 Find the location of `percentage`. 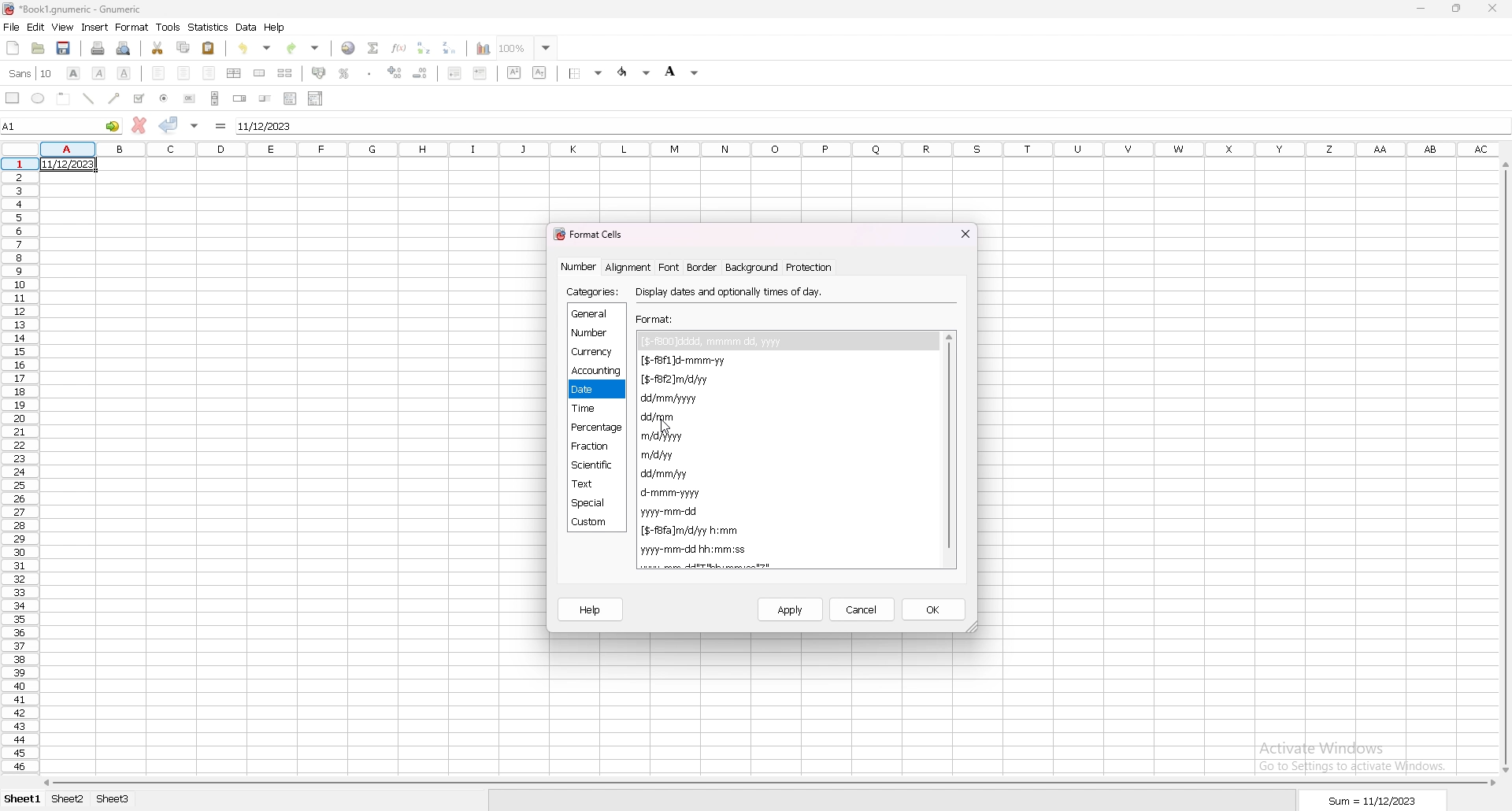

percentage is located at coordinates (597, 428).